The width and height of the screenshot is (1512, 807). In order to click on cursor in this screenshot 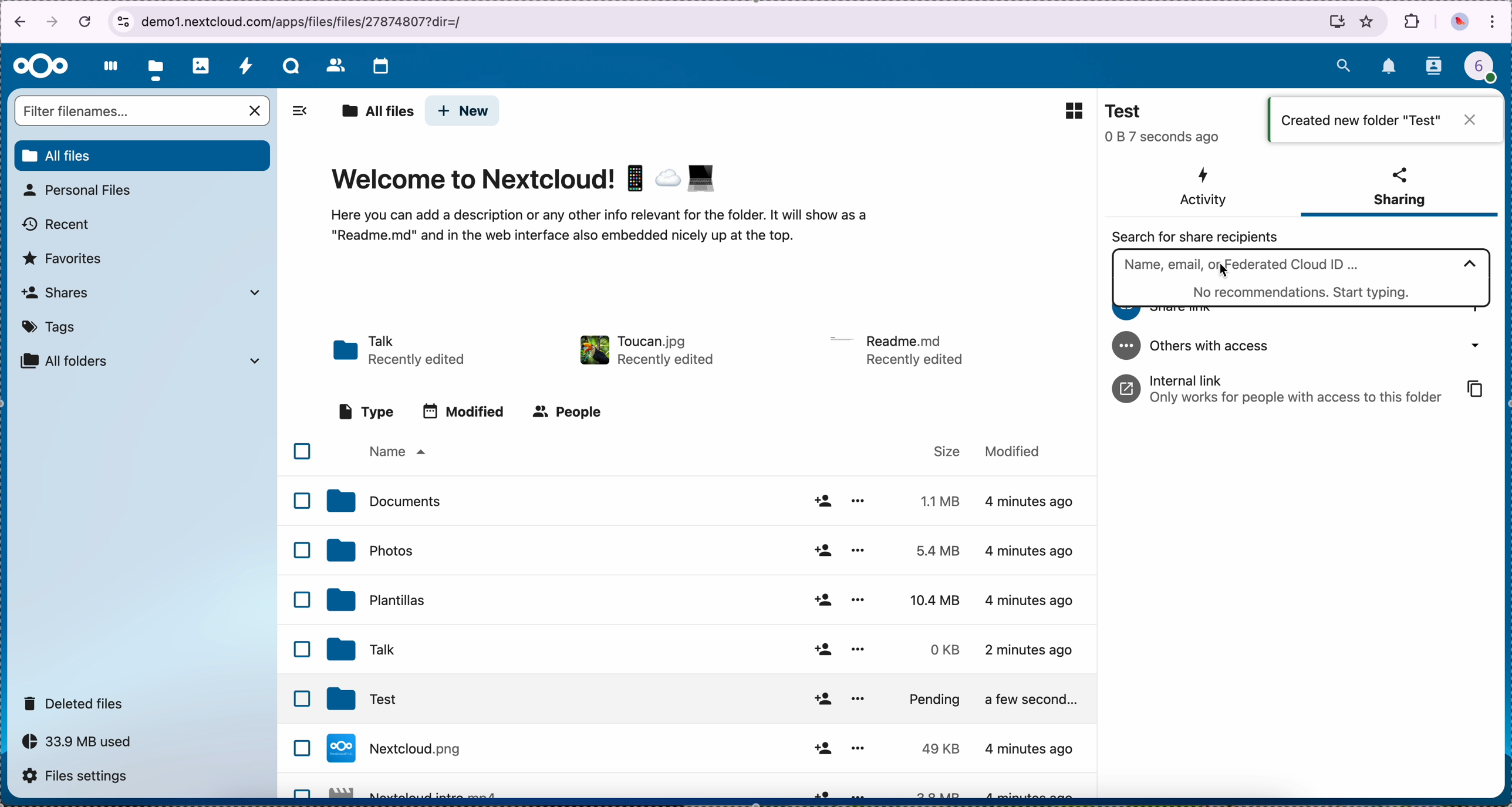, I will do `click(1224, 271)`.